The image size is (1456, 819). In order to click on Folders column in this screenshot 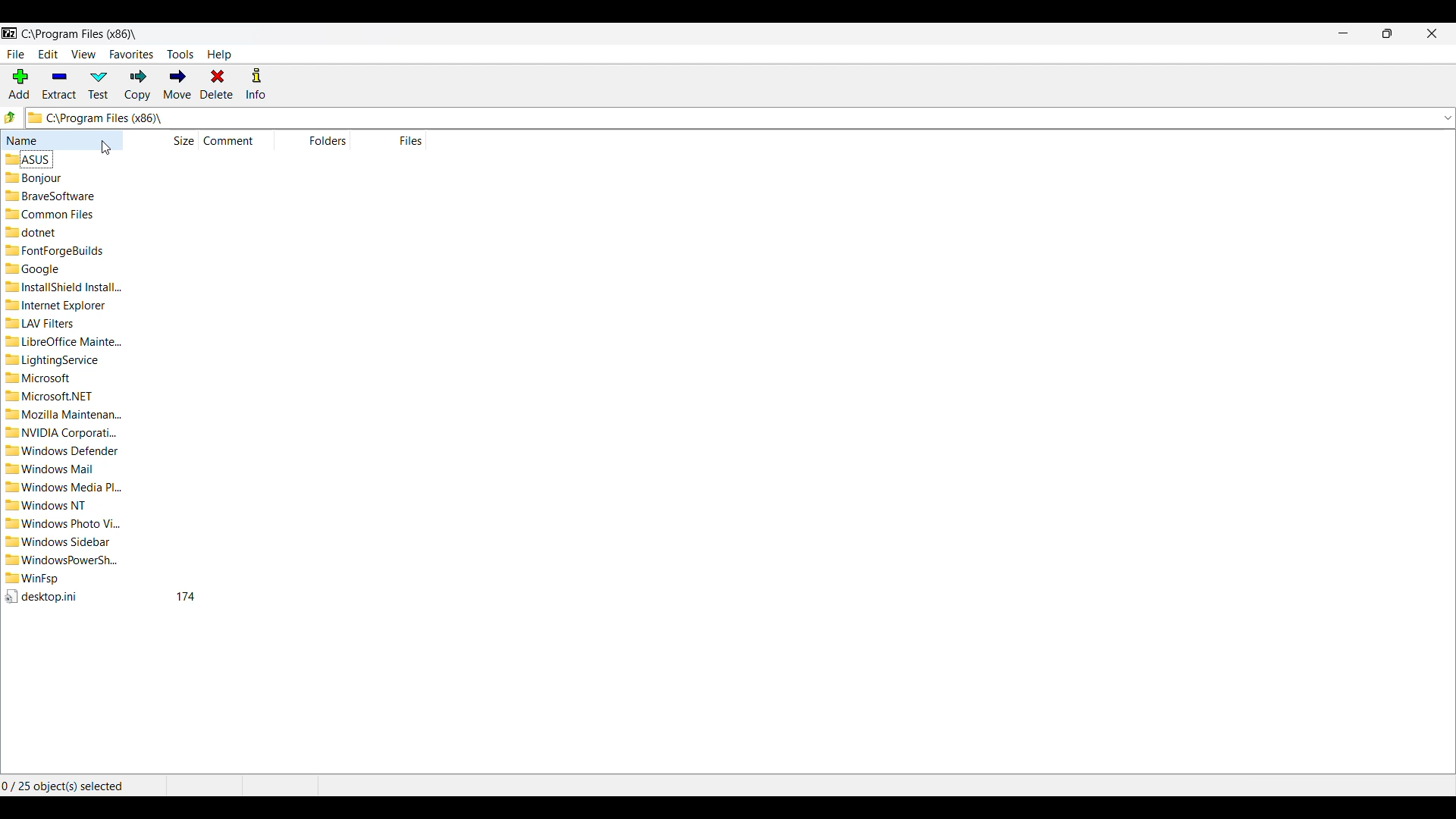, I will do `click(322, 140)`.